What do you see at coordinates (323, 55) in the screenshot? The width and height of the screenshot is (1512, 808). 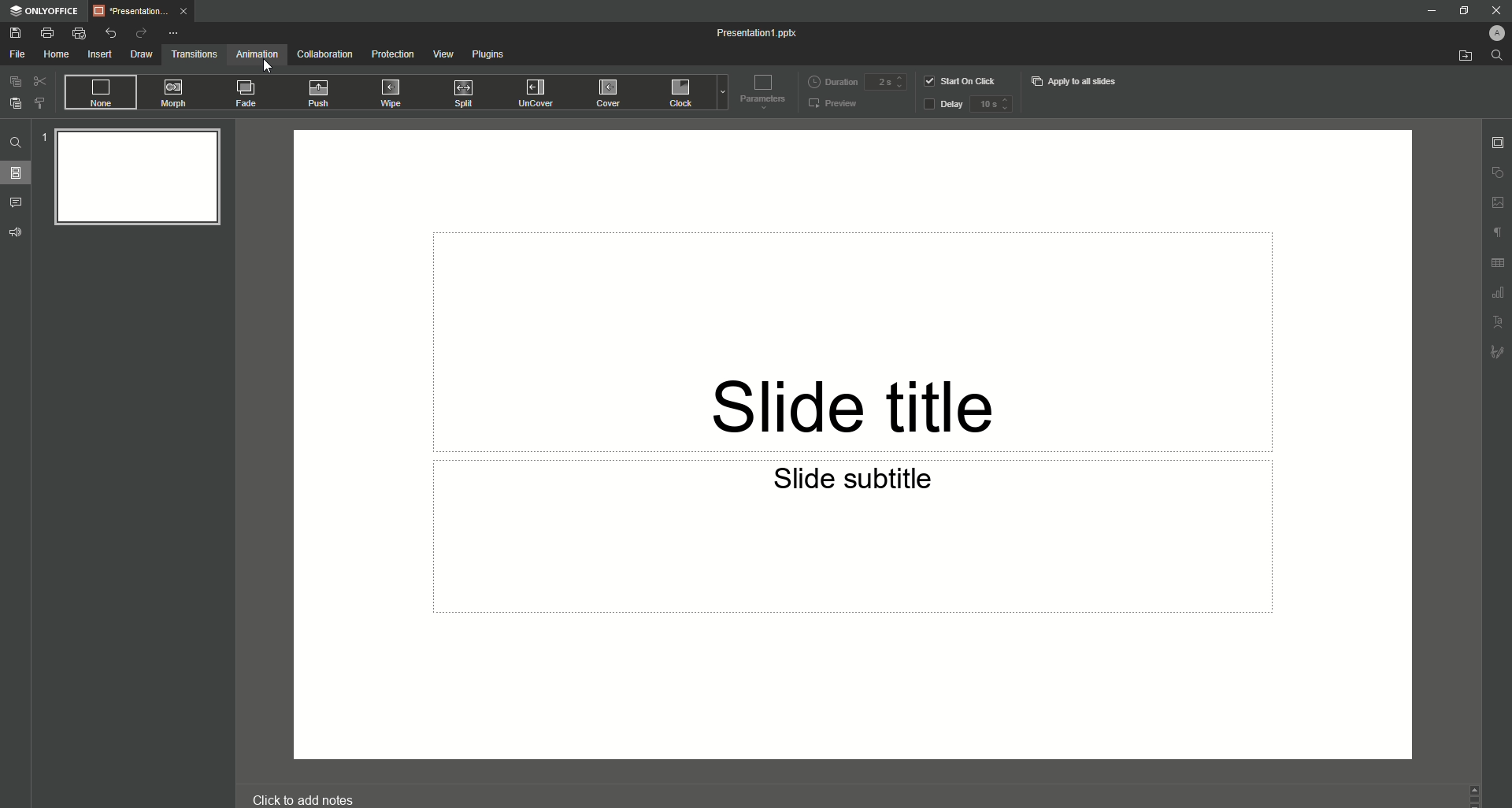 I see `Collaboration` at bounding box center [323, 55].